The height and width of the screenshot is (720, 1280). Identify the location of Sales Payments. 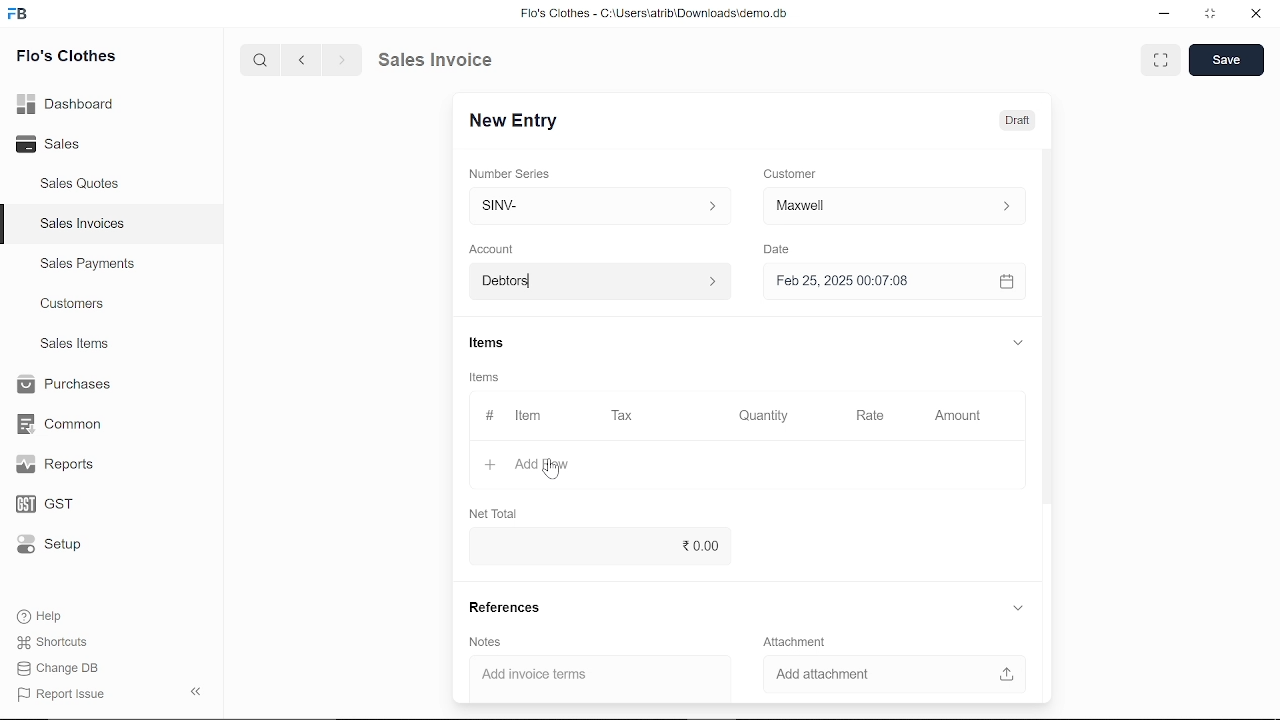
(87, 264).